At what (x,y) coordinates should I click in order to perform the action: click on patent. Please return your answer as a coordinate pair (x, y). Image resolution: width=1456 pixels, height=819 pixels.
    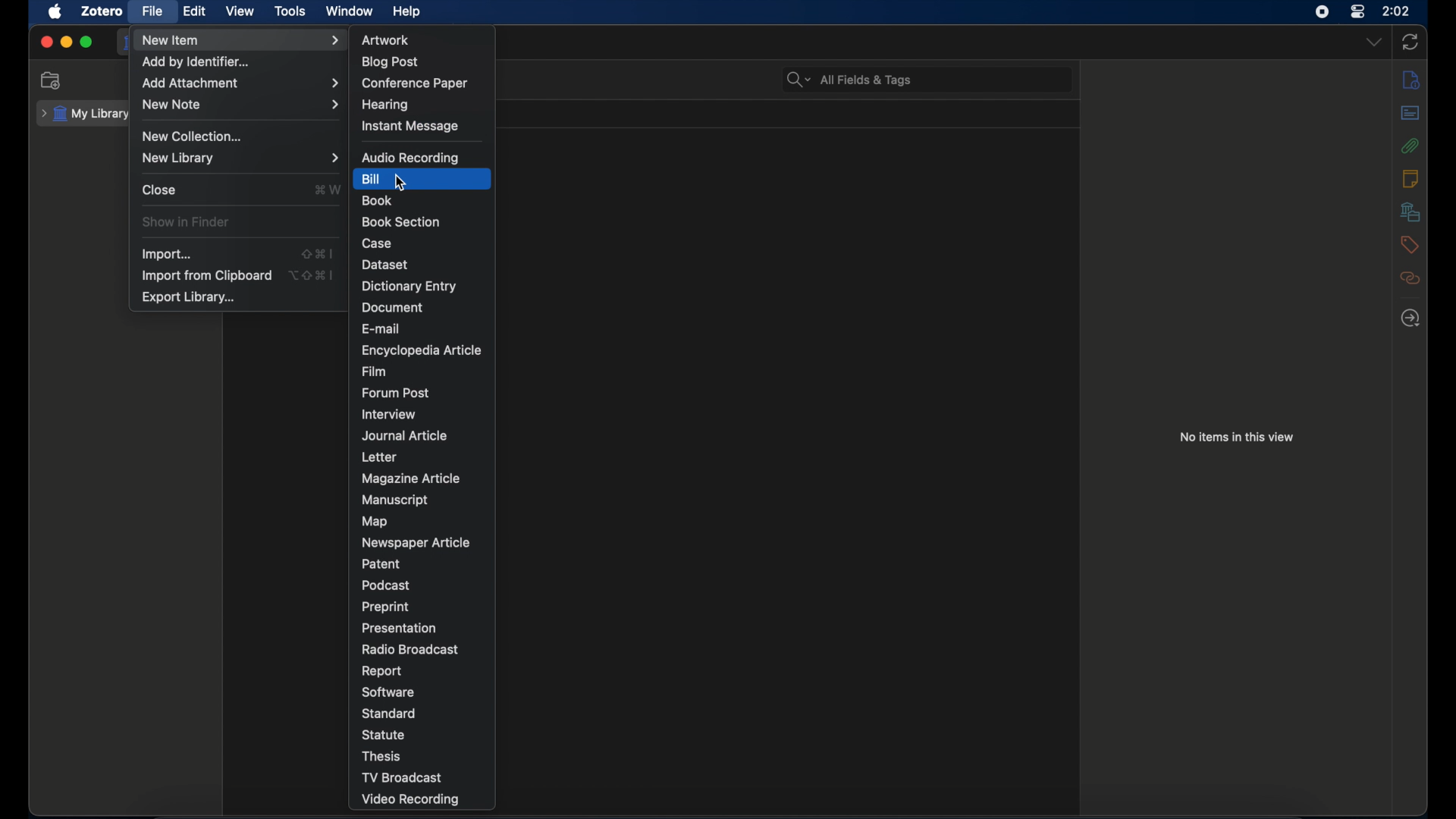
    Looking at the image, I should click on (381, 563).